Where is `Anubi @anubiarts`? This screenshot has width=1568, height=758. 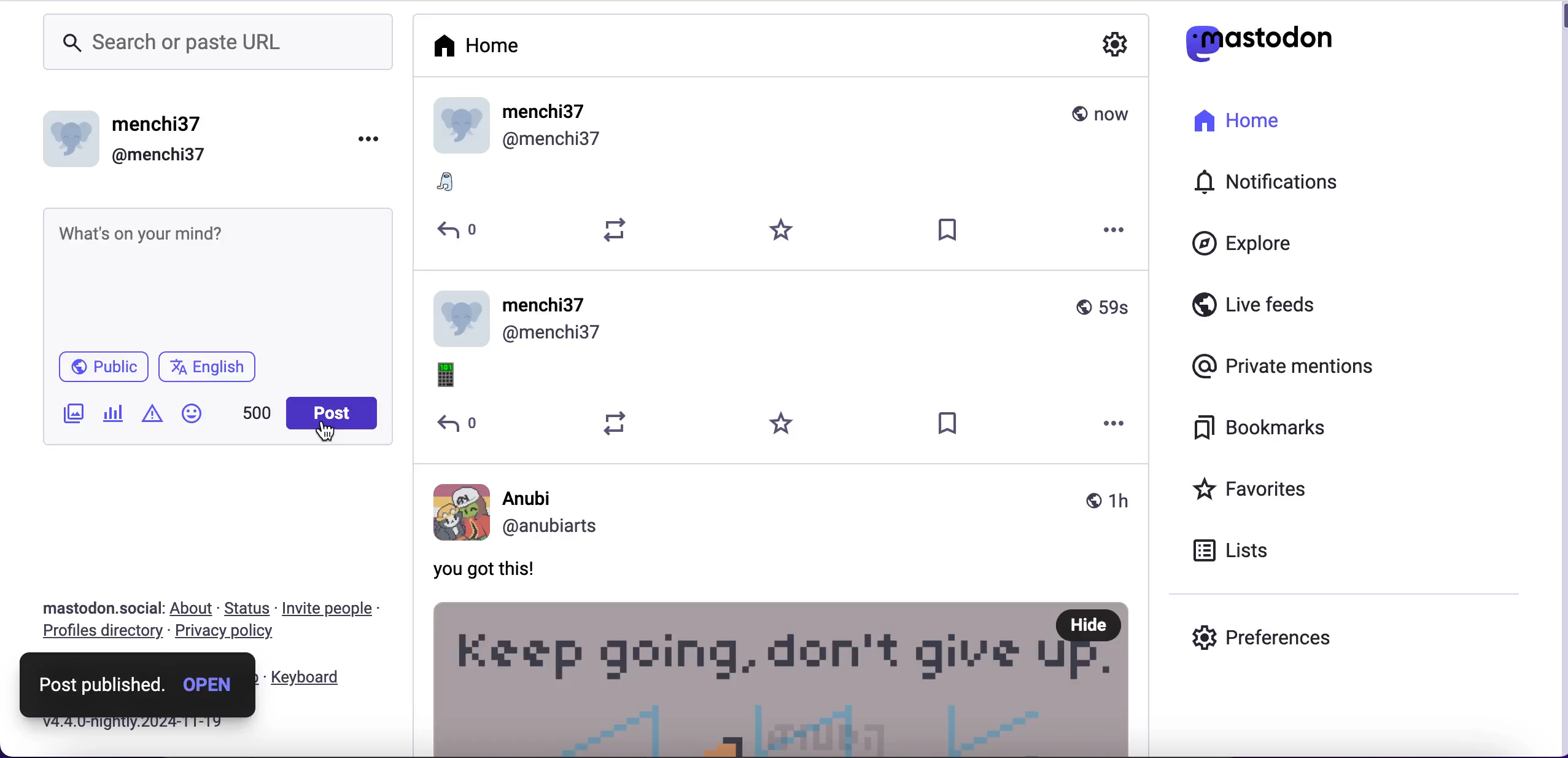
Anubi @anubiarts is located at coordinates (786, 509).